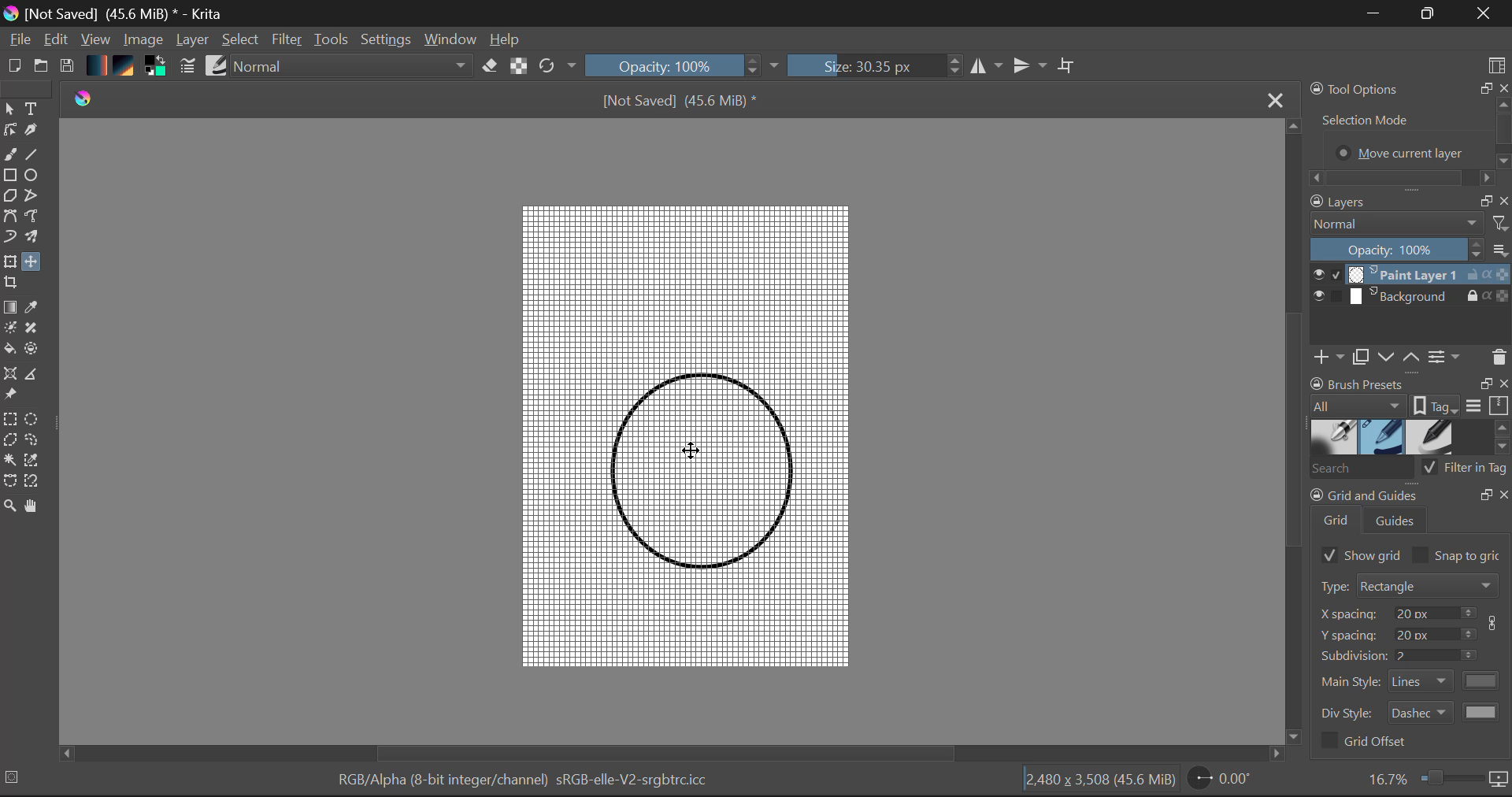  What do you see at coordinates (1409, 511) in the screenshot?
I see `Grid and Guides Docker` at bounding box center [1409, 511].